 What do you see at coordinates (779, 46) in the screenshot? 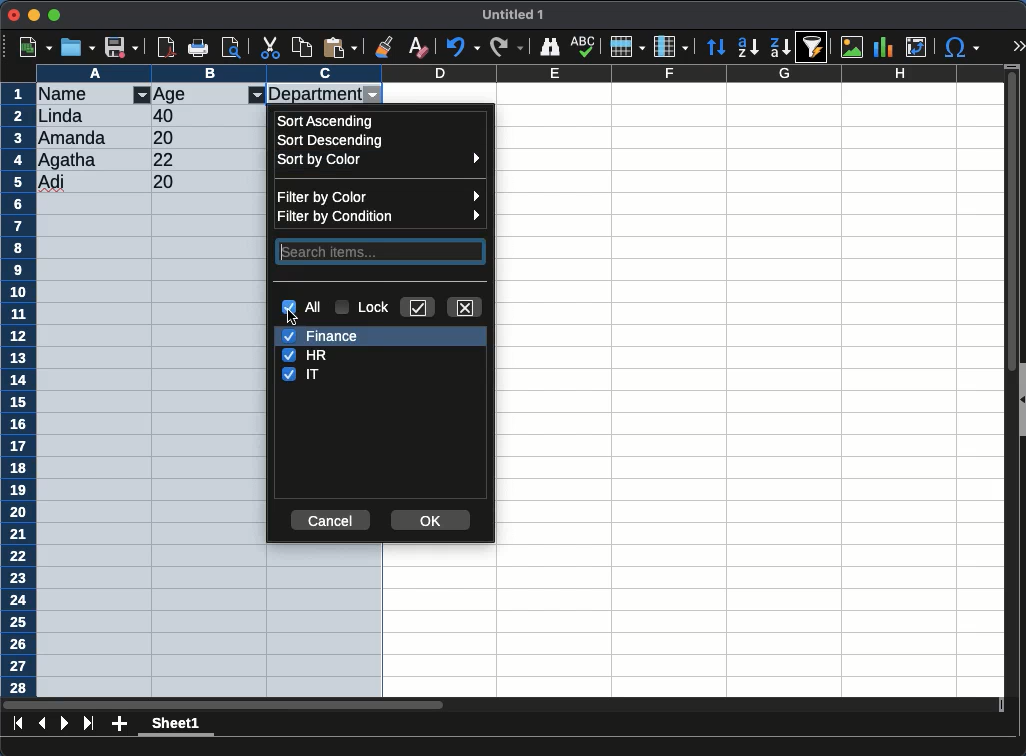
I see `descending` at bounding box center [779, 46].